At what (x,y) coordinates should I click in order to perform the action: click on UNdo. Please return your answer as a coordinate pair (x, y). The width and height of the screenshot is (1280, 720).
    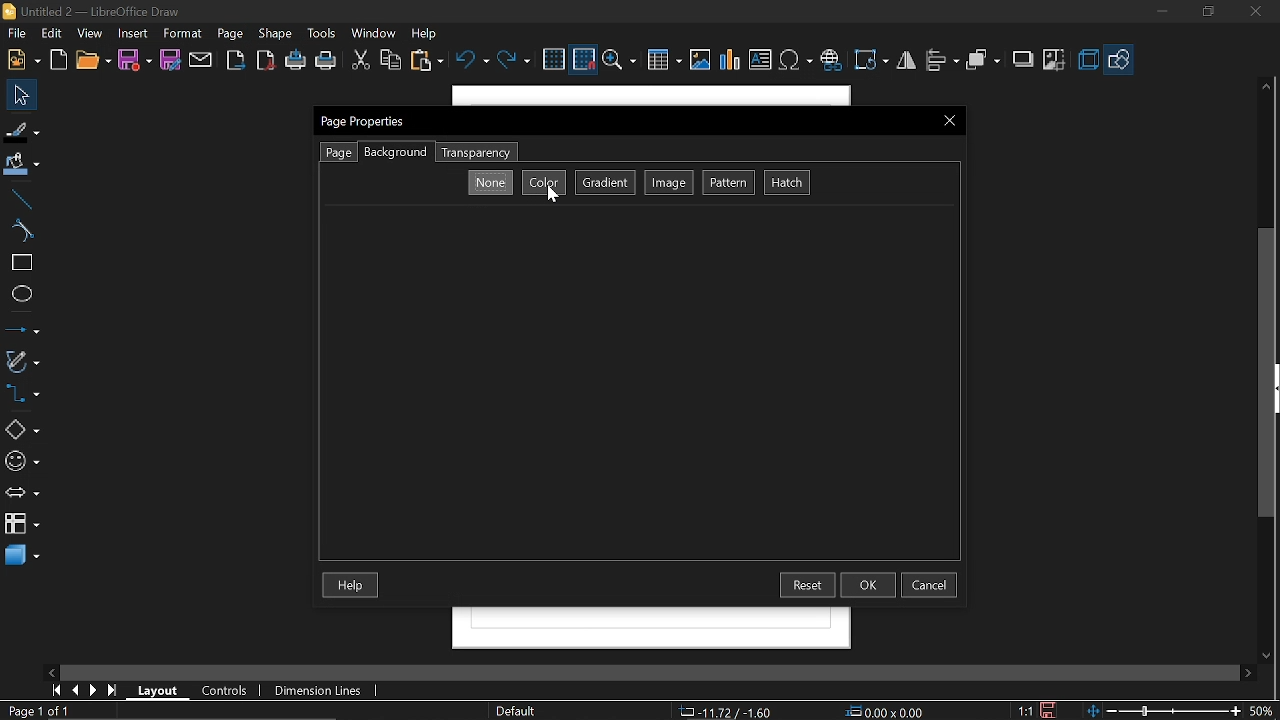
    Looking at the image, I should click on (471, 61).